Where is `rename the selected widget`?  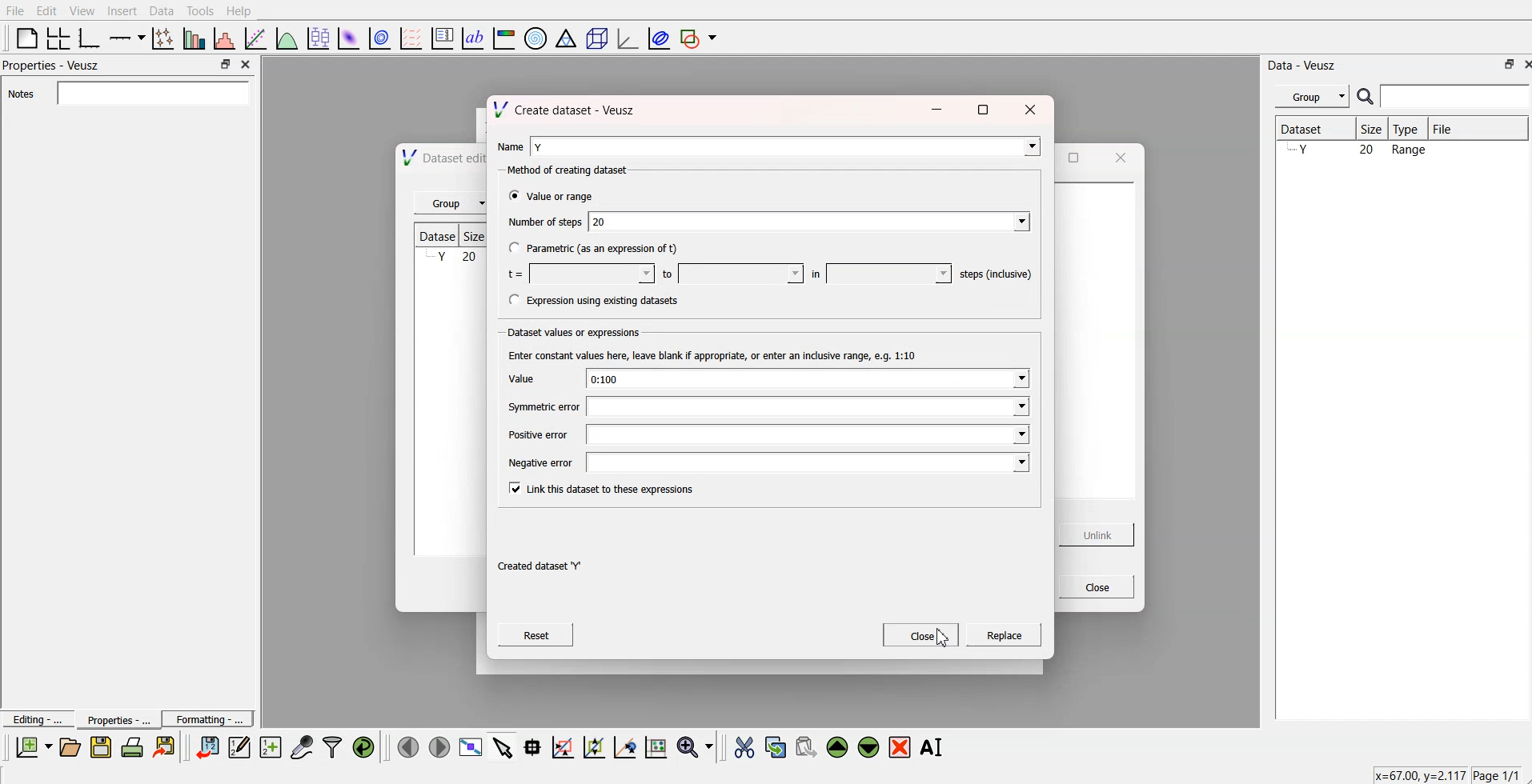 rename the selected widget is located at coordinates (932, 747).